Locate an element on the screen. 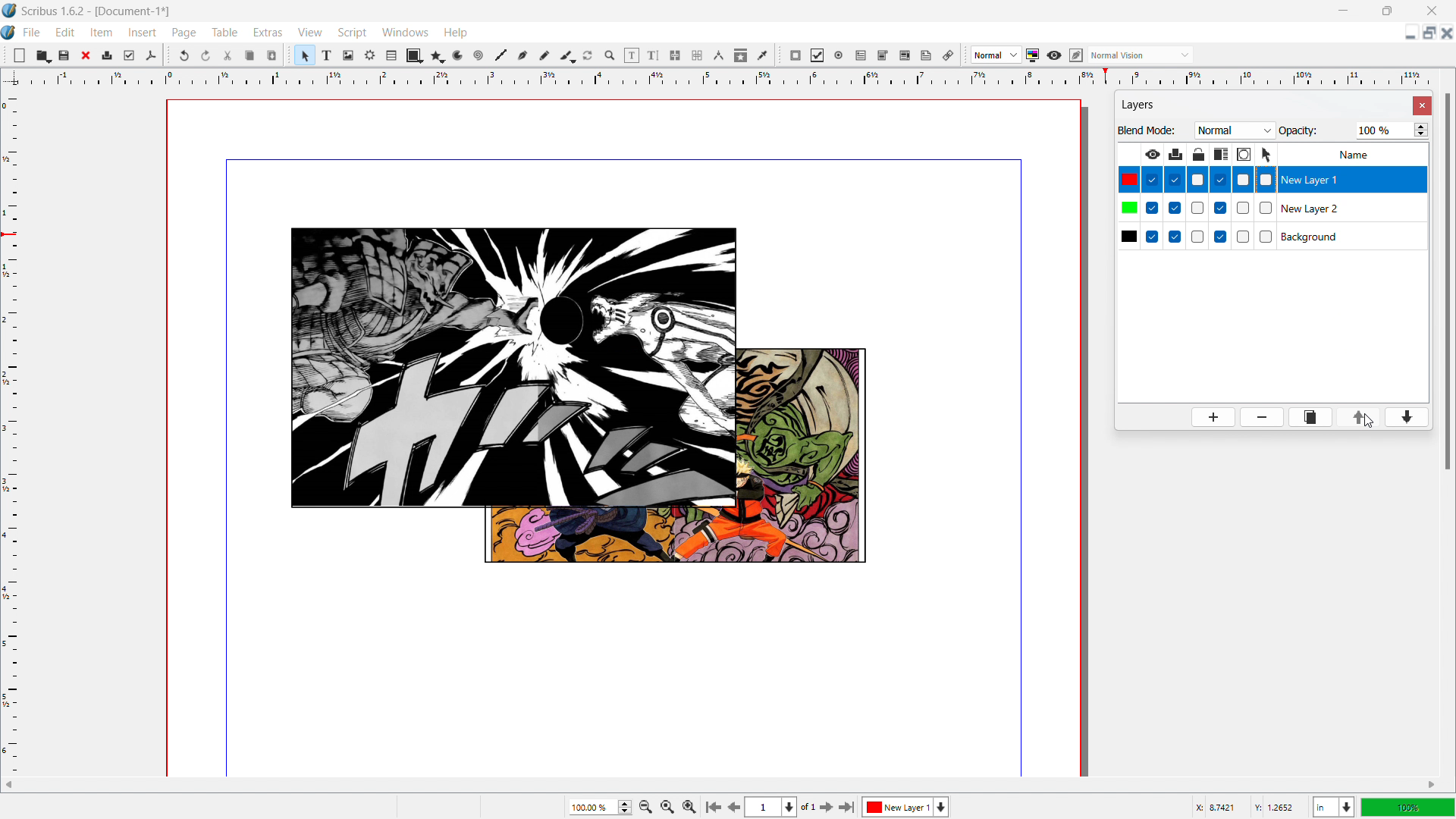 The width and height of the screenshot is (1456, 819). shape is located at coordinates (414, 55).